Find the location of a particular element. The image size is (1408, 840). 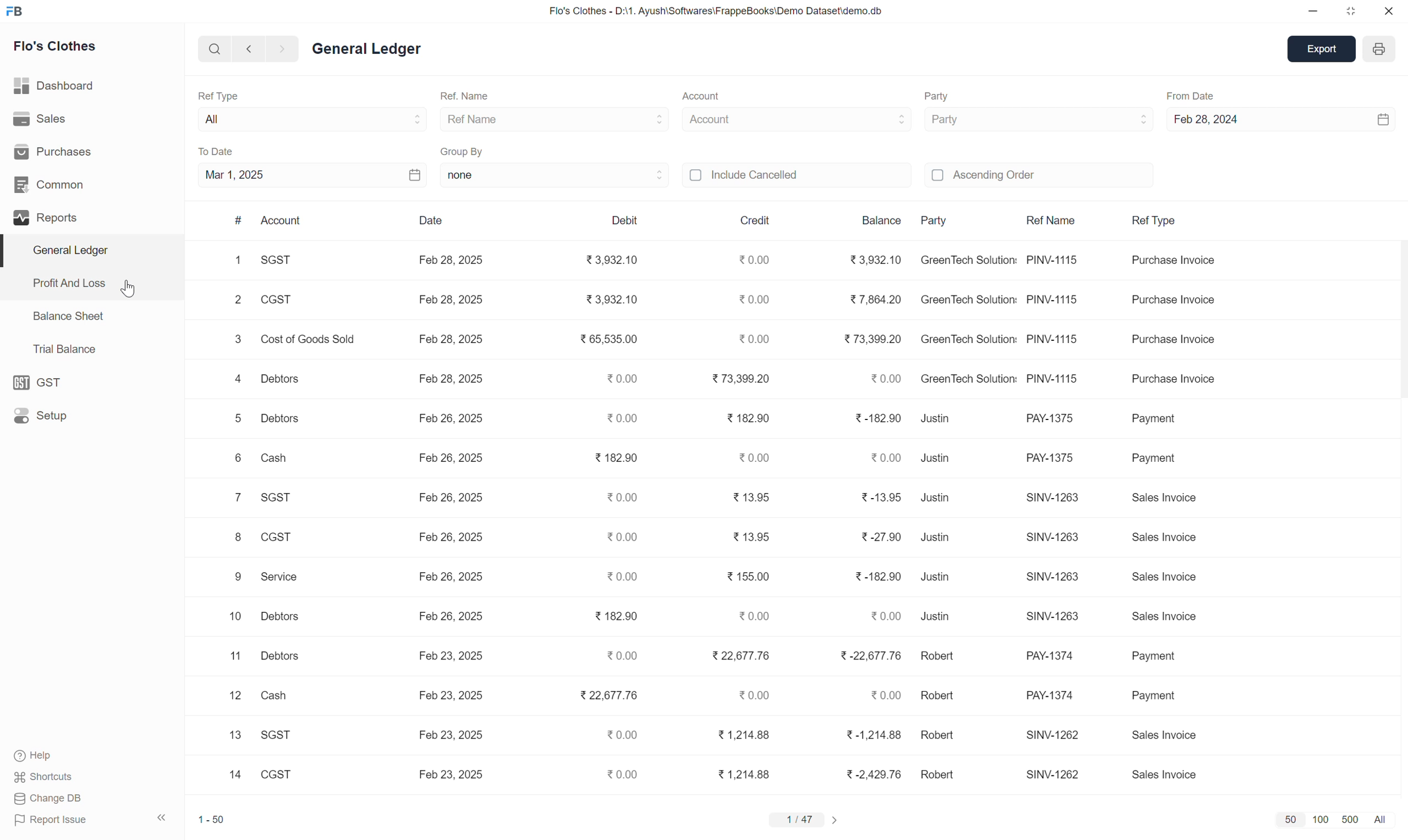

₹22,677.76 is located at coordinates (743, 655).